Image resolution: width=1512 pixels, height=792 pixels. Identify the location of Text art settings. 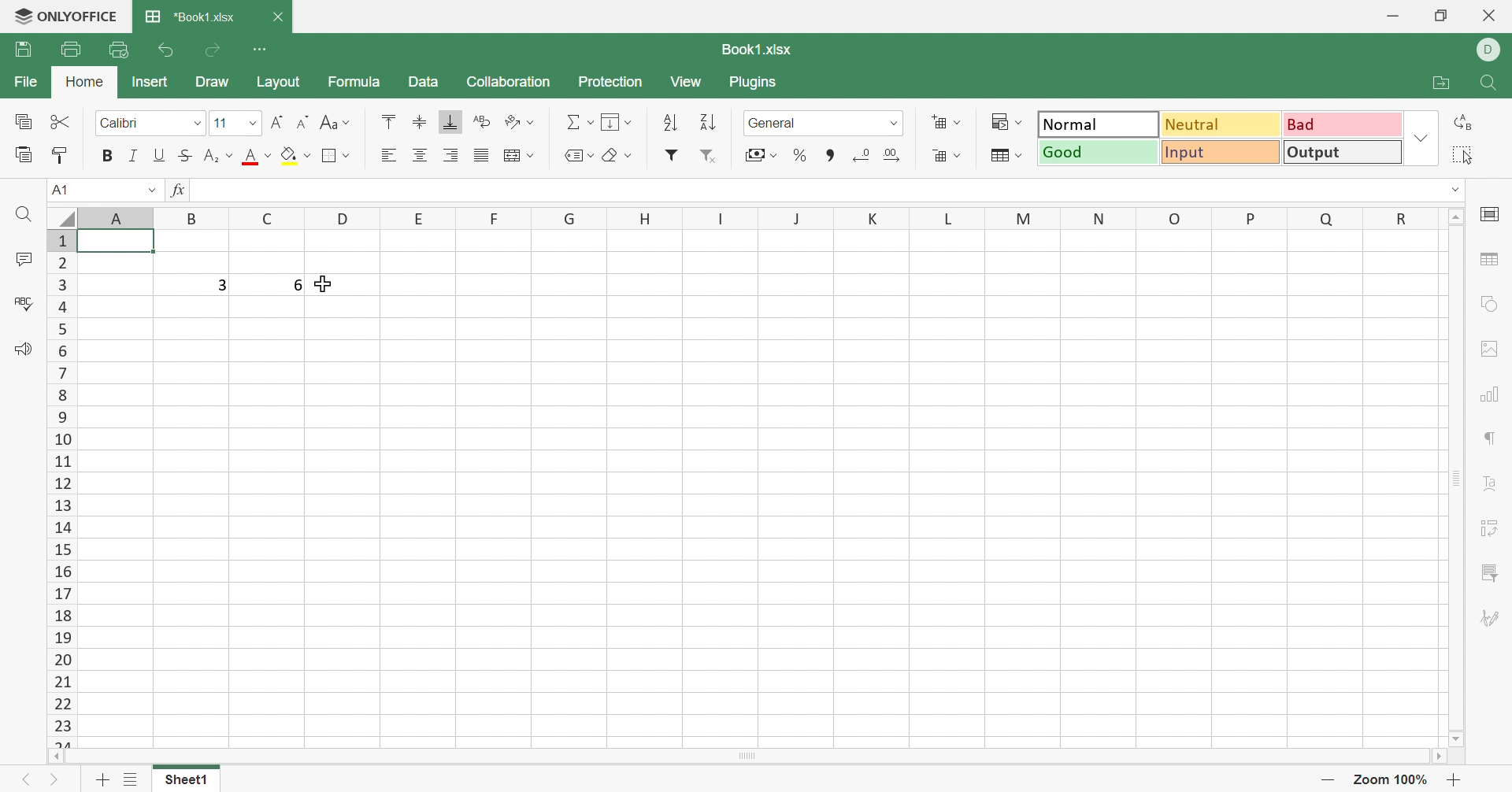
(1492, 481).